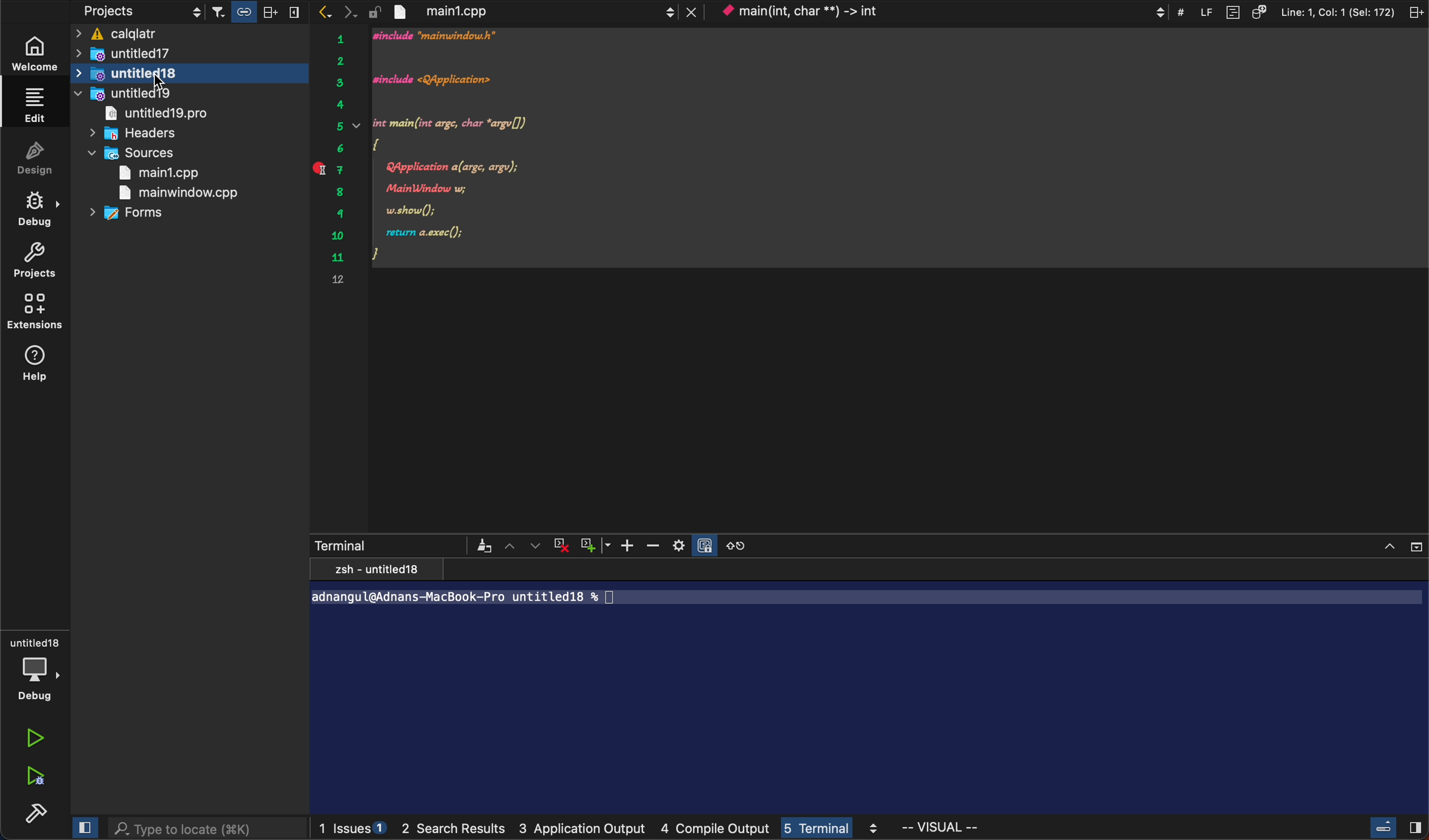  Describe the element at coordinates (35, 312) in the screenshot. I see `extensions` at that location.